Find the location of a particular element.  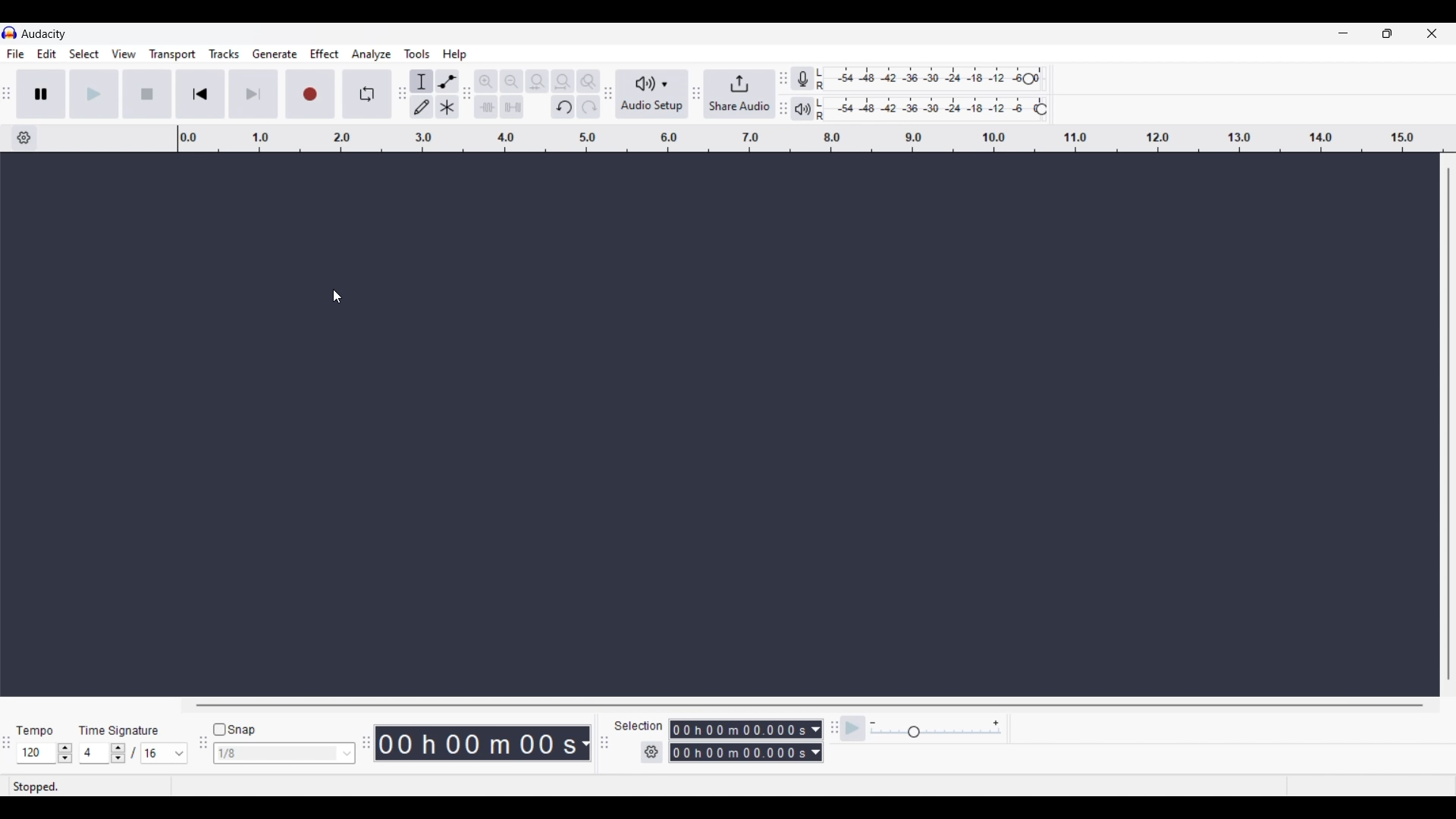

Skip to end/Select to end is located at coordinates (253, 94).